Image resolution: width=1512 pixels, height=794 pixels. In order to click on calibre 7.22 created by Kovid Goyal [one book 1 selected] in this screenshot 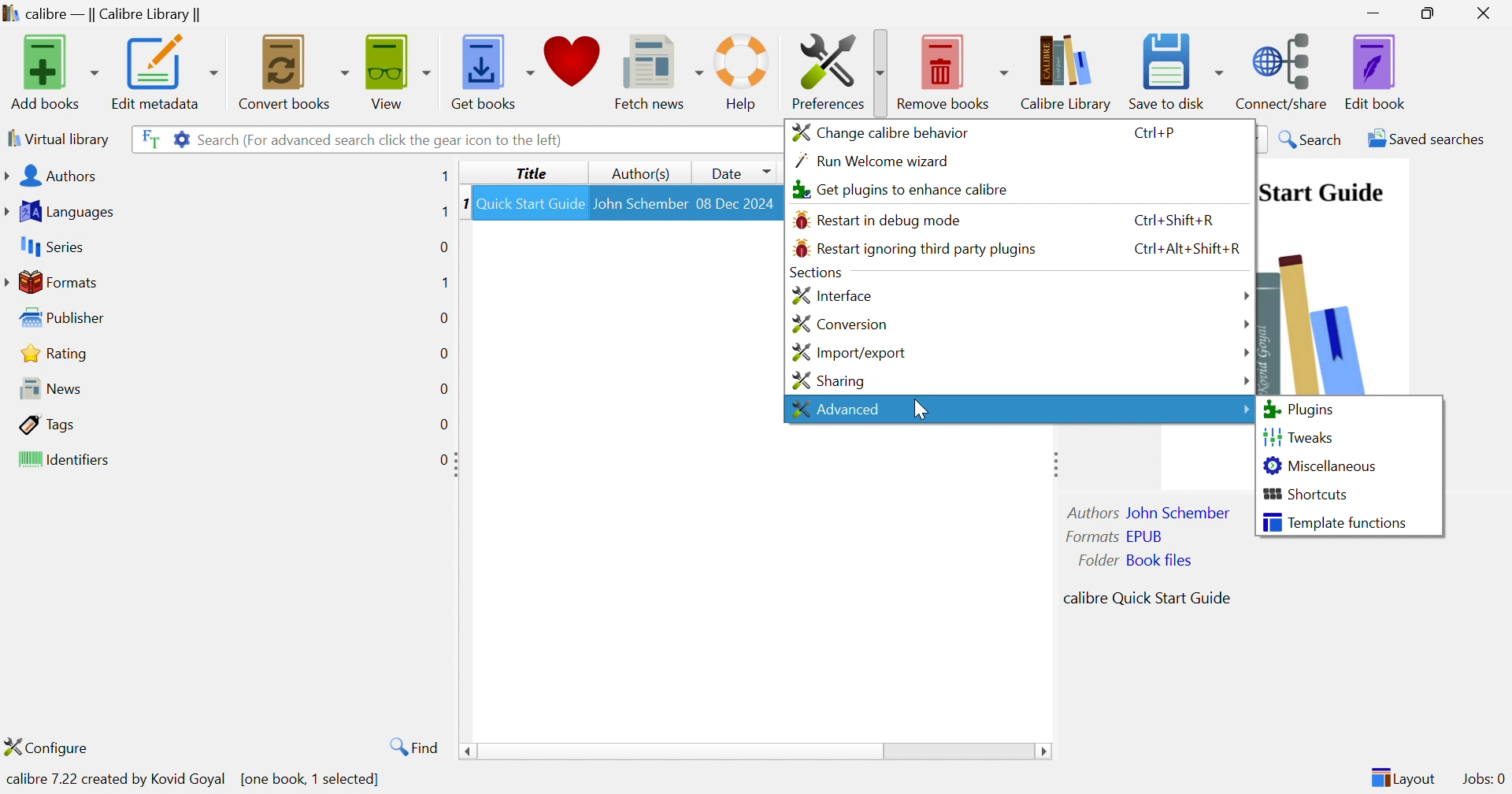, I will do `click(195, 777)`.